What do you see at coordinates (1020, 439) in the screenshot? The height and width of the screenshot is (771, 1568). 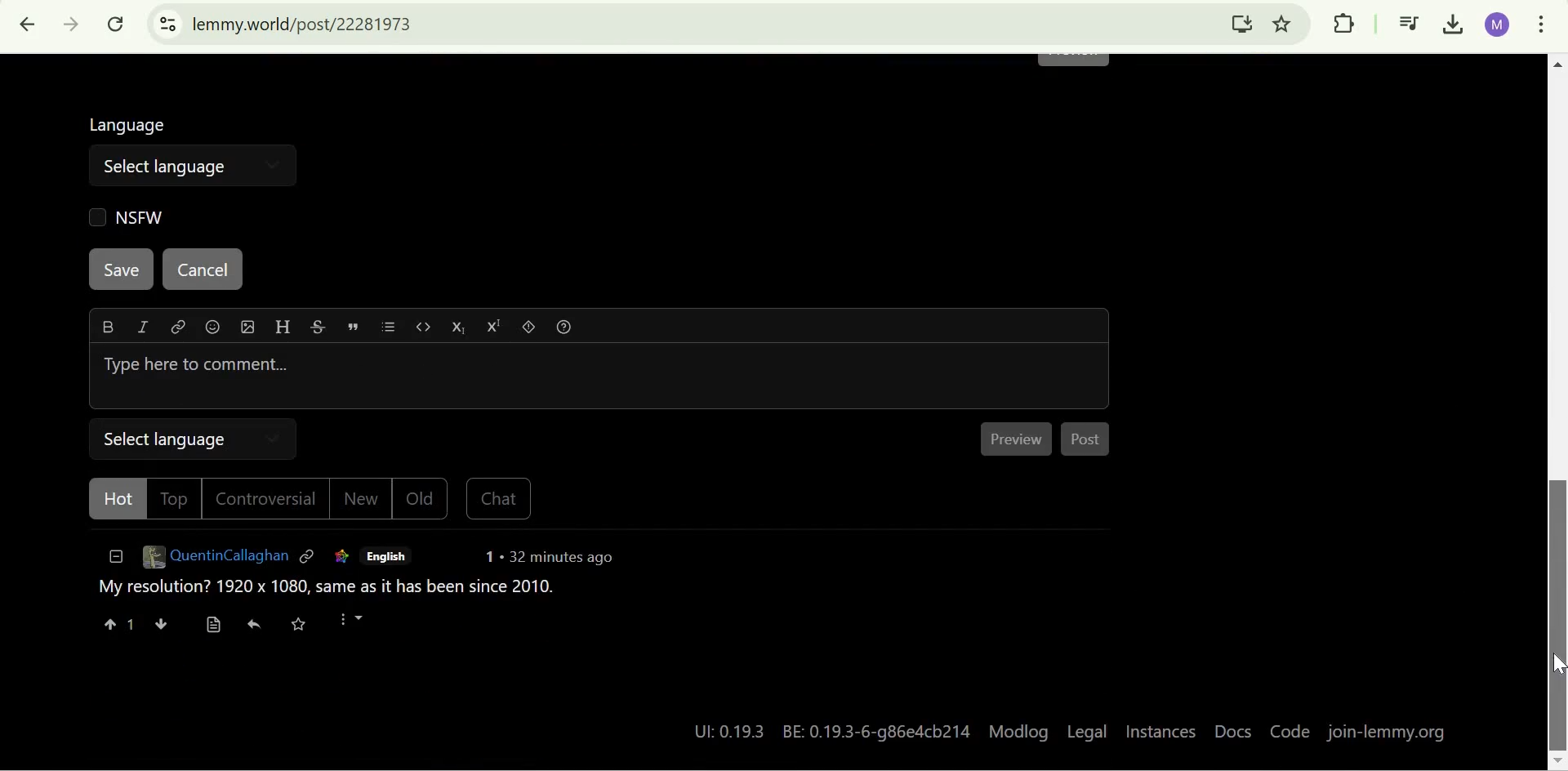 I see `Preview` at bounding box center [1020, 439].